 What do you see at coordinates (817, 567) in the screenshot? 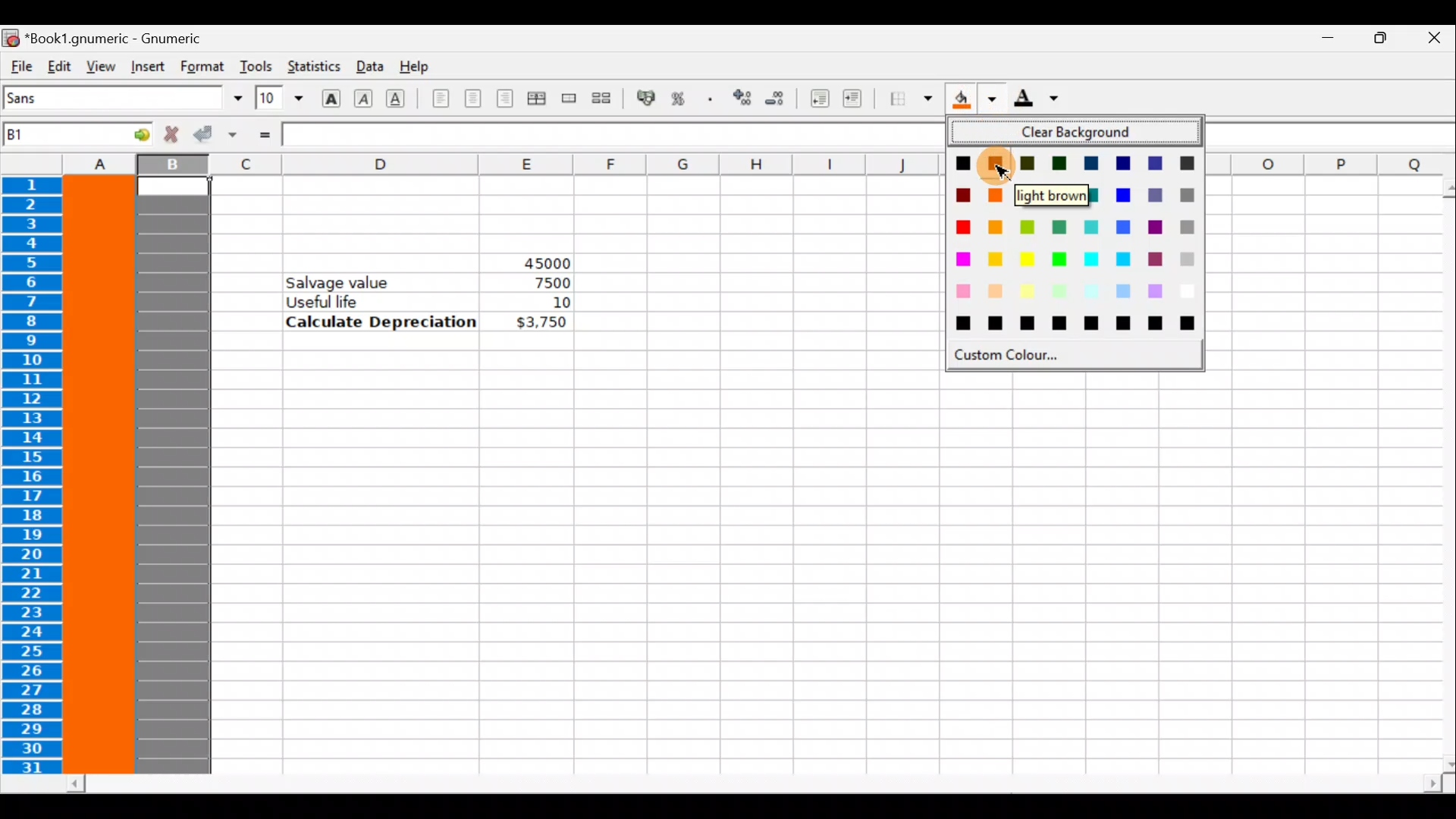
I see `Cells` at bounding box center [817, 567].